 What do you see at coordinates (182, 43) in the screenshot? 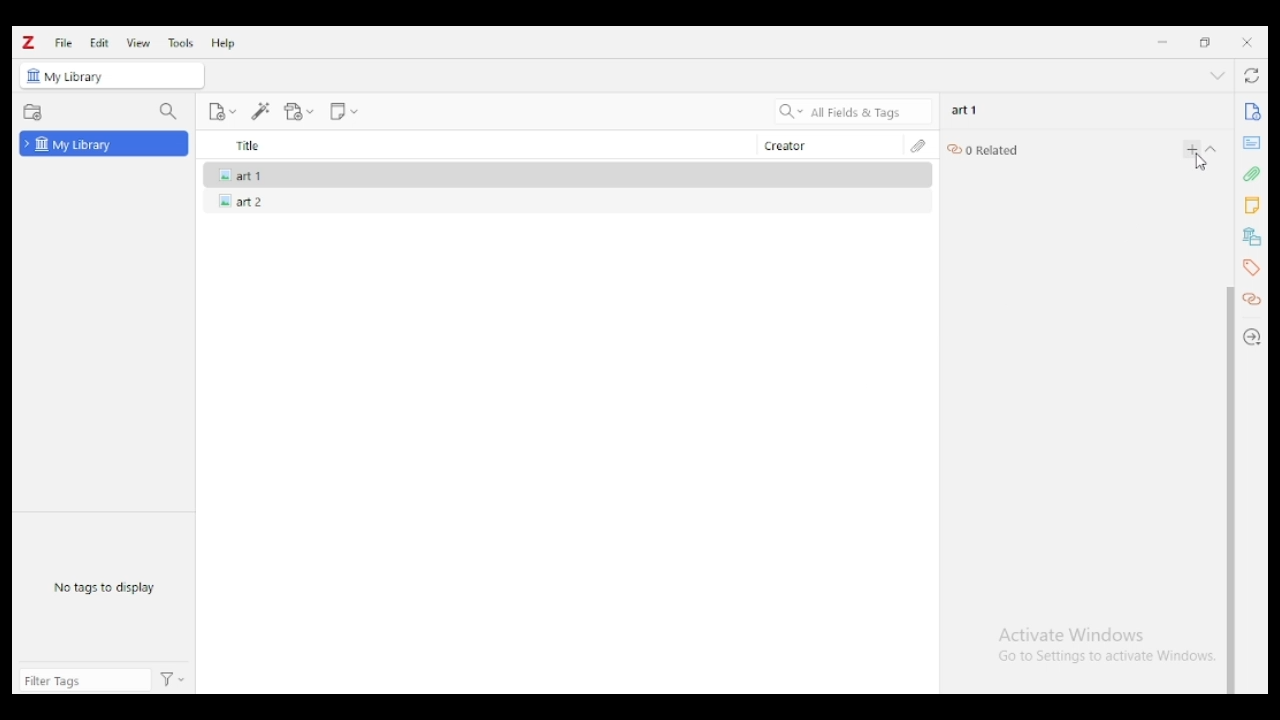
I see `tools` at bounding box center [182, 43].